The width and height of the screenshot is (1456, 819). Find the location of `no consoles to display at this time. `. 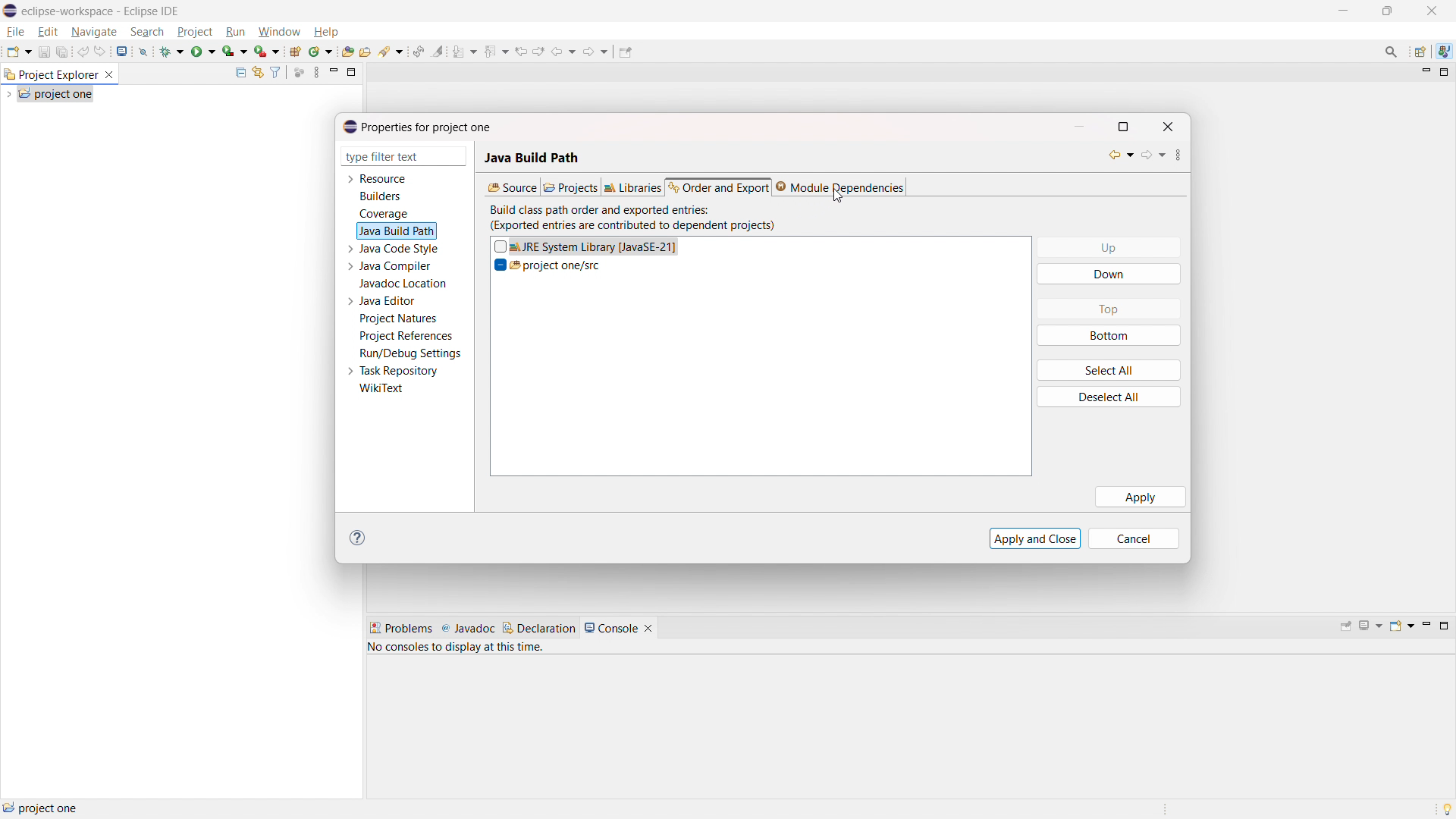

no consoles to display at this time.  is located at coordinates (459, 650).